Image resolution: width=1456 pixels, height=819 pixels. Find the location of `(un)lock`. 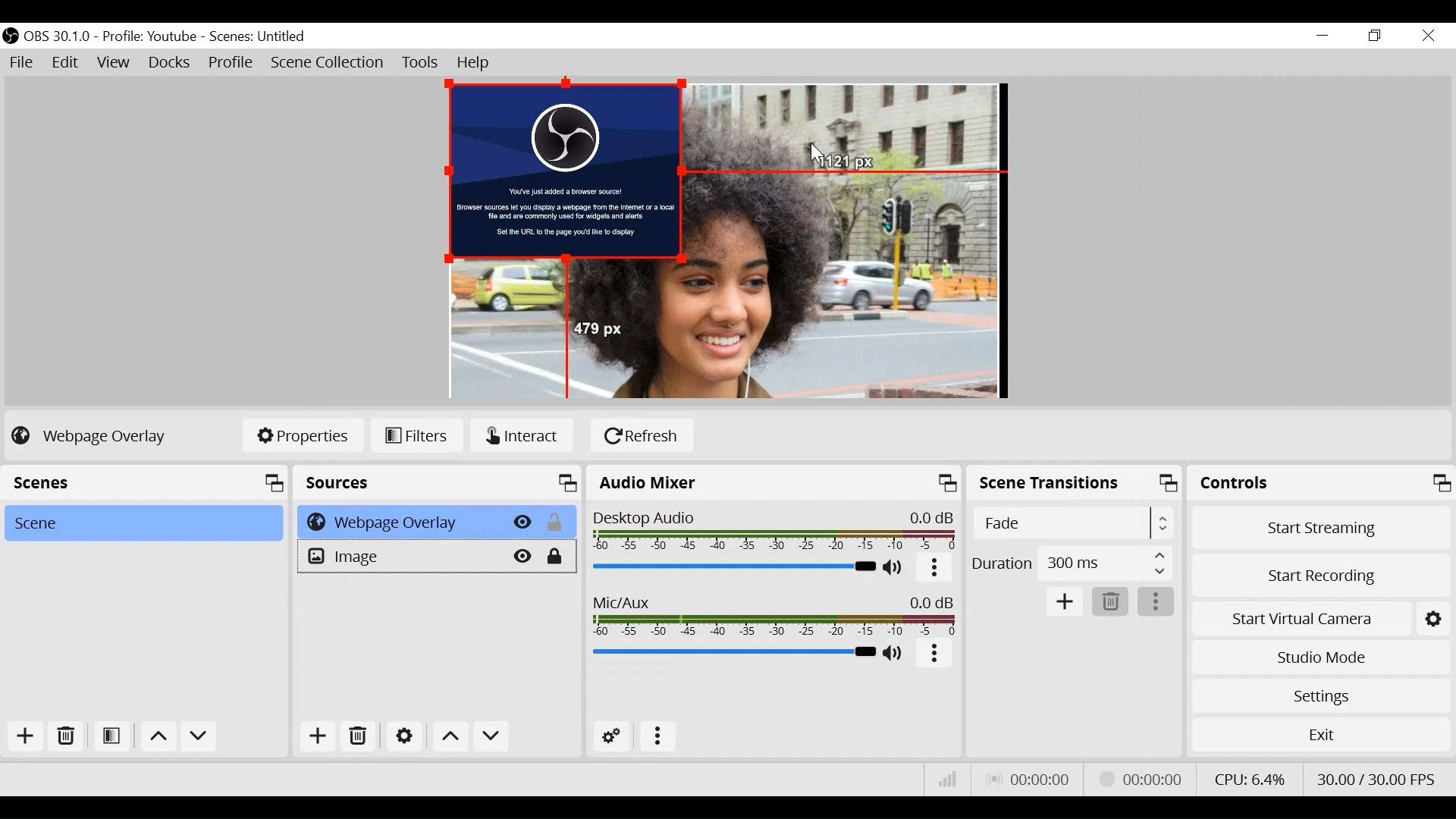

(un)lock is located at coordinates (559, 558).